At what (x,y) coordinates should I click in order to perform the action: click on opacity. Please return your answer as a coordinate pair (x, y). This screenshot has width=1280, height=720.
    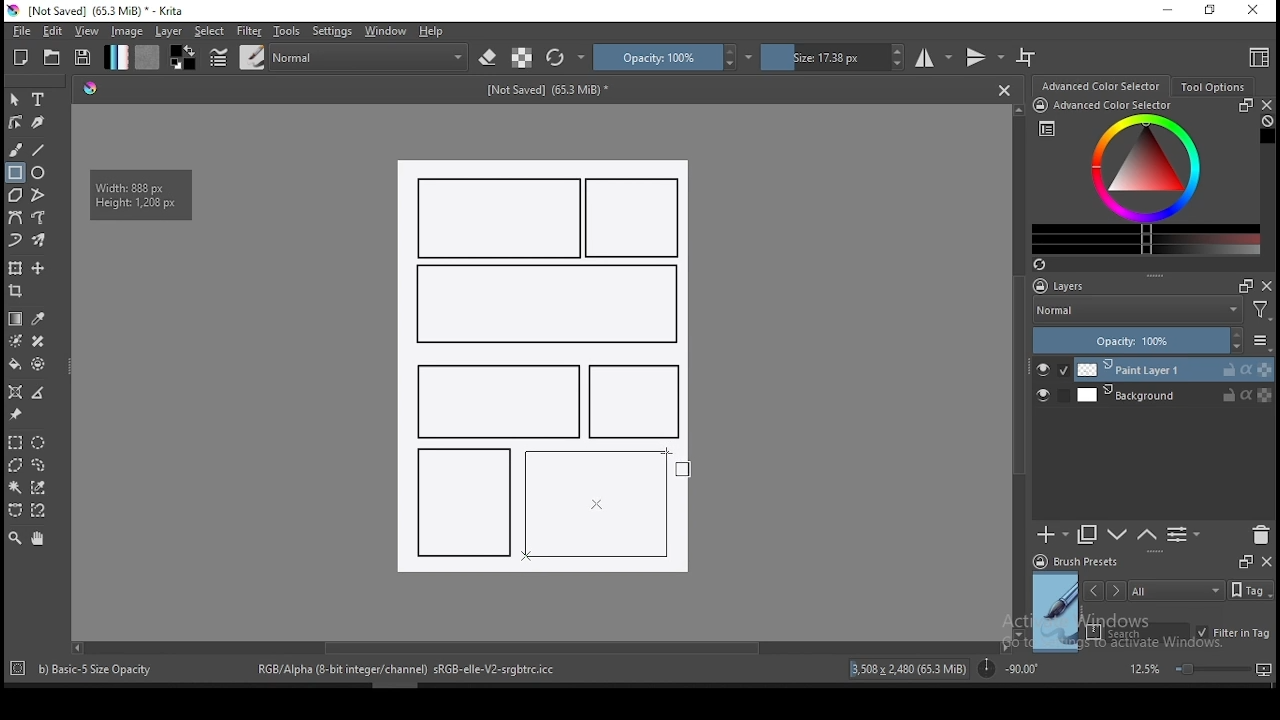
    Looking at the image, I should click on (1150, 342).